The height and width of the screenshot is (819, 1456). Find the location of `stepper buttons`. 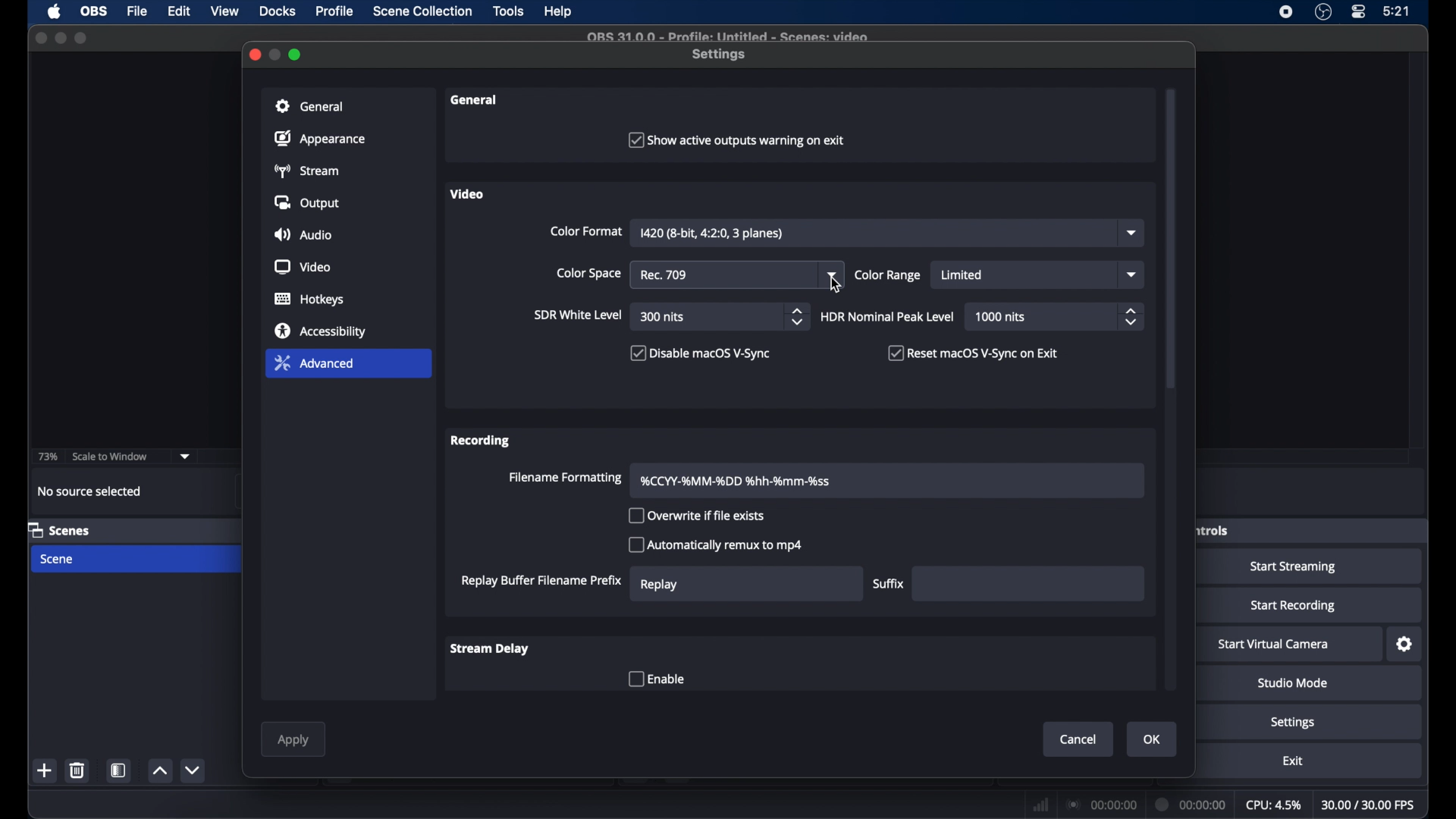

stepper buttons is located at coordinates (1130, 317).